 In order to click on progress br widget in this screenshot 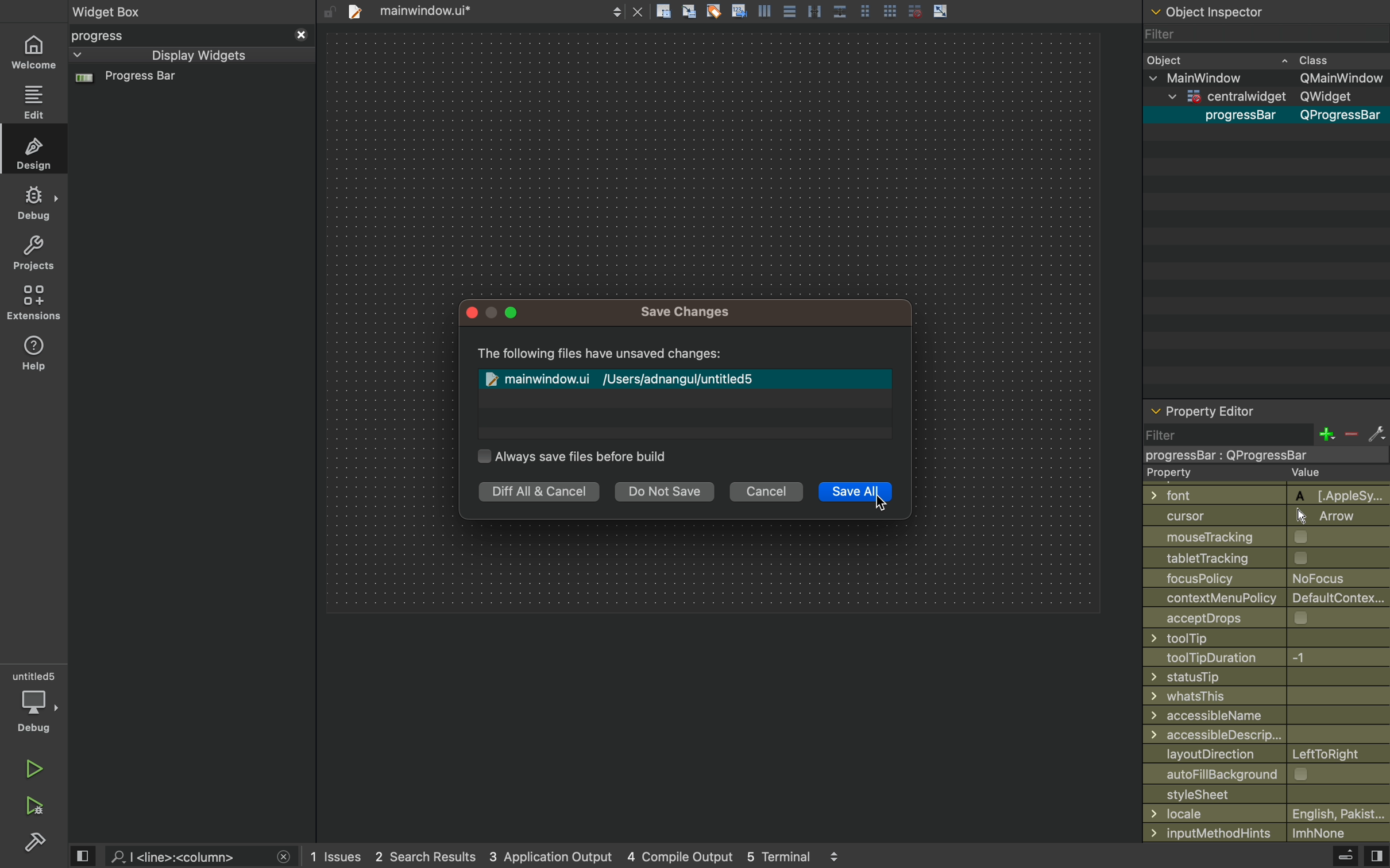, I will do `click(188, 83)`.